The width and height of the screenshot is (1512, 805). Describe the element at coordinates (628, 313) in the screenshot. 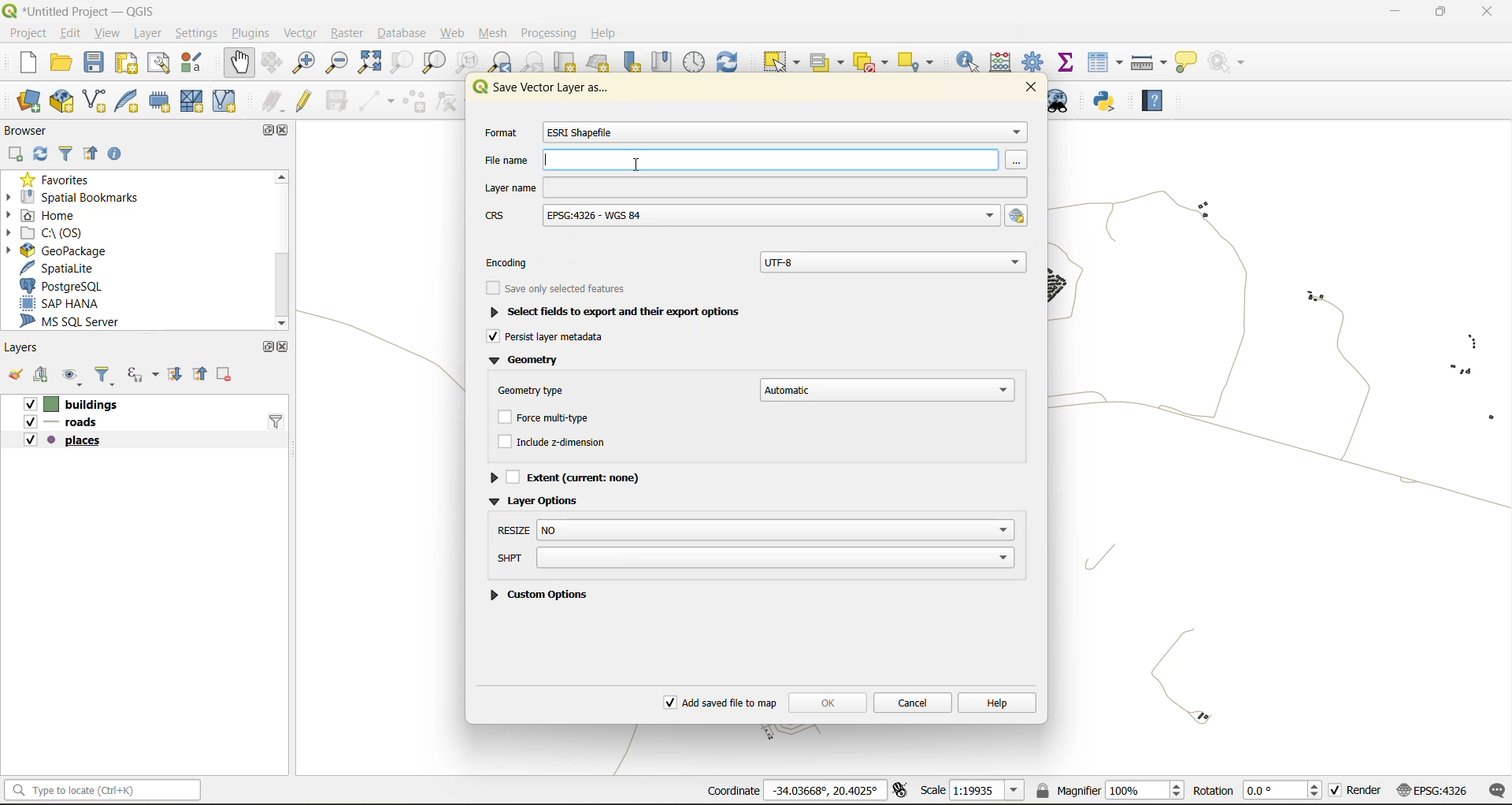

I see `Select fields to export and their export options` at that location.